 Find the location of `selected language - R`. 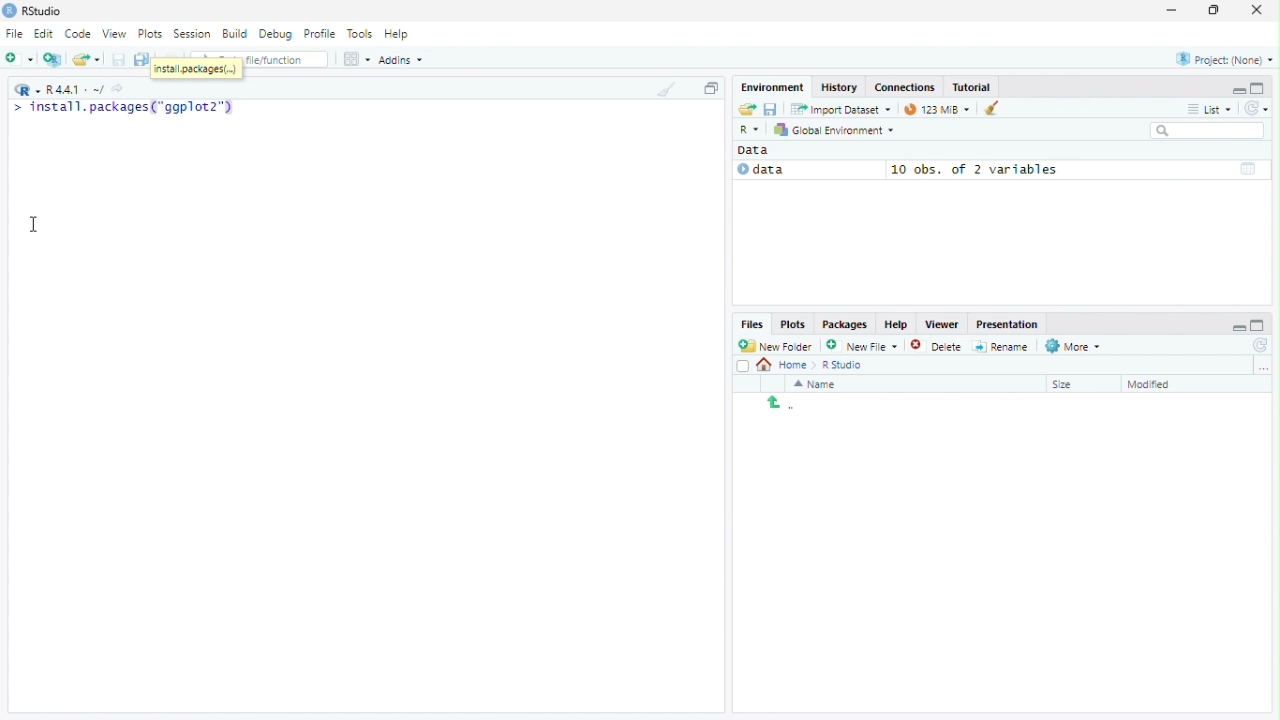

selected language - R is located at coordinates (750, 129).